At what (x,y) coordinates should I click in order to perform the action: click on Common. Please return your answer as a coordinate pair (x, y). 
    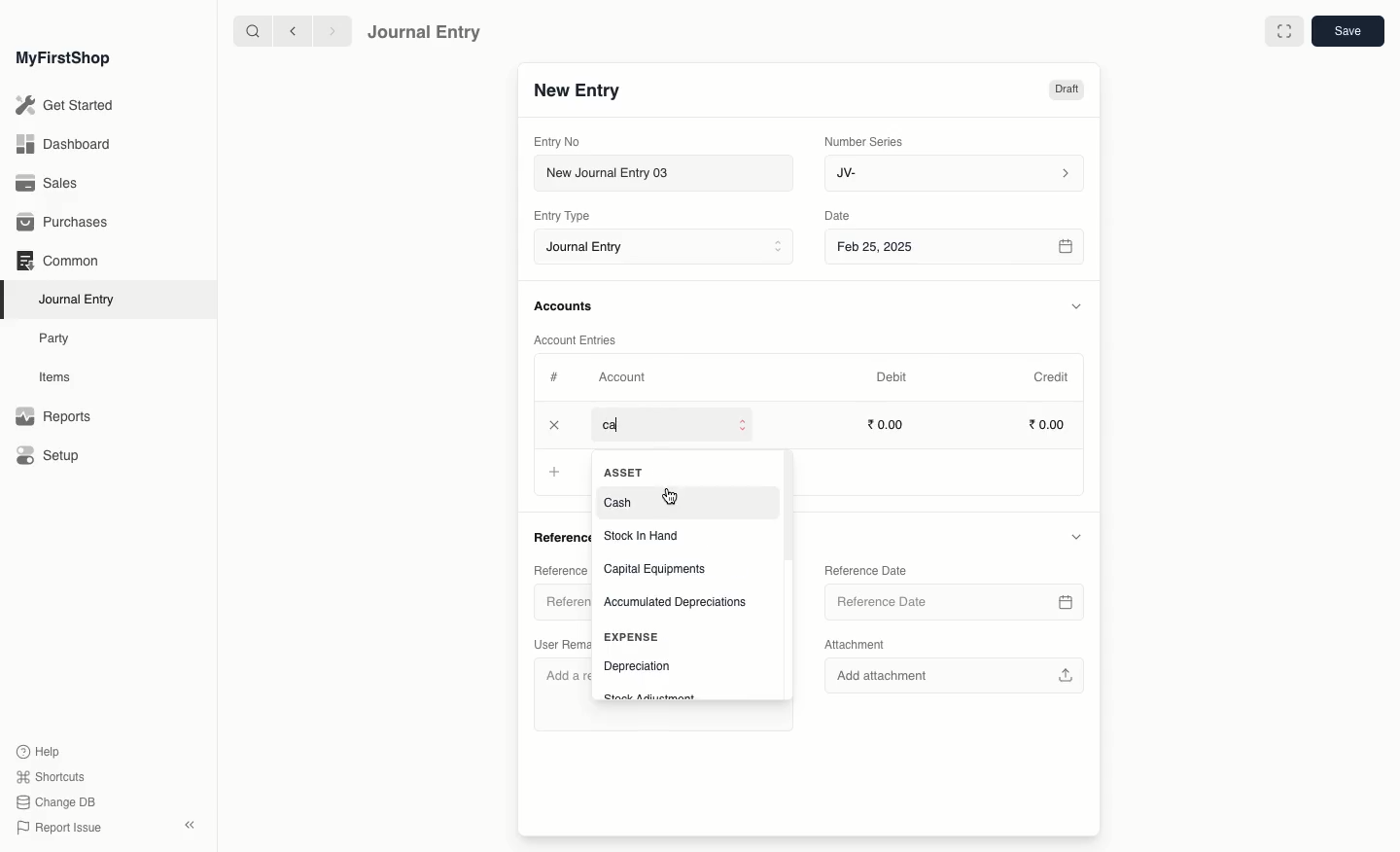
    Looking at the image, I should click on (56, 261).